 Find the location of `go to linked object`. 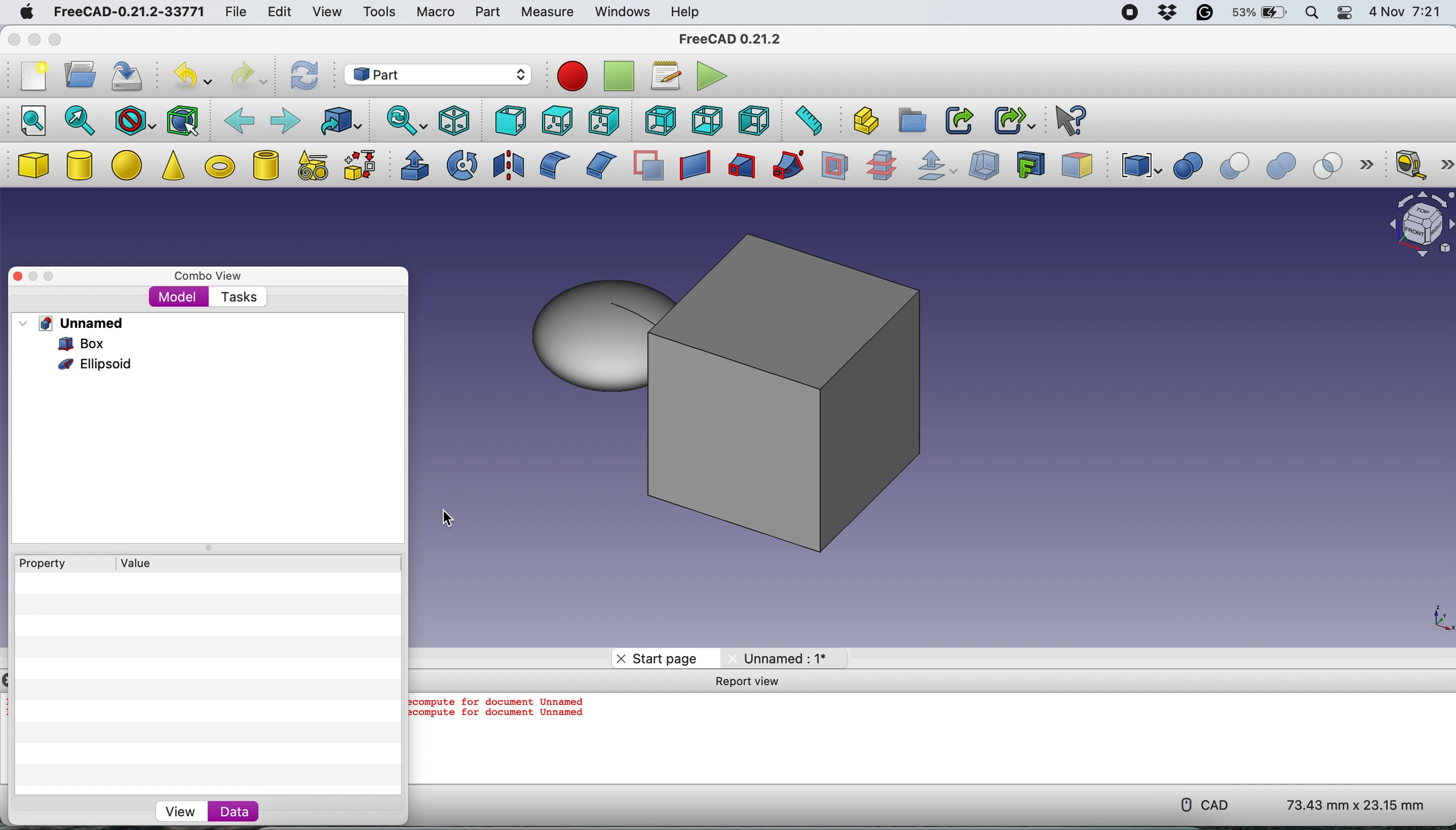

go to linked object is located at coordinates (340, 121).